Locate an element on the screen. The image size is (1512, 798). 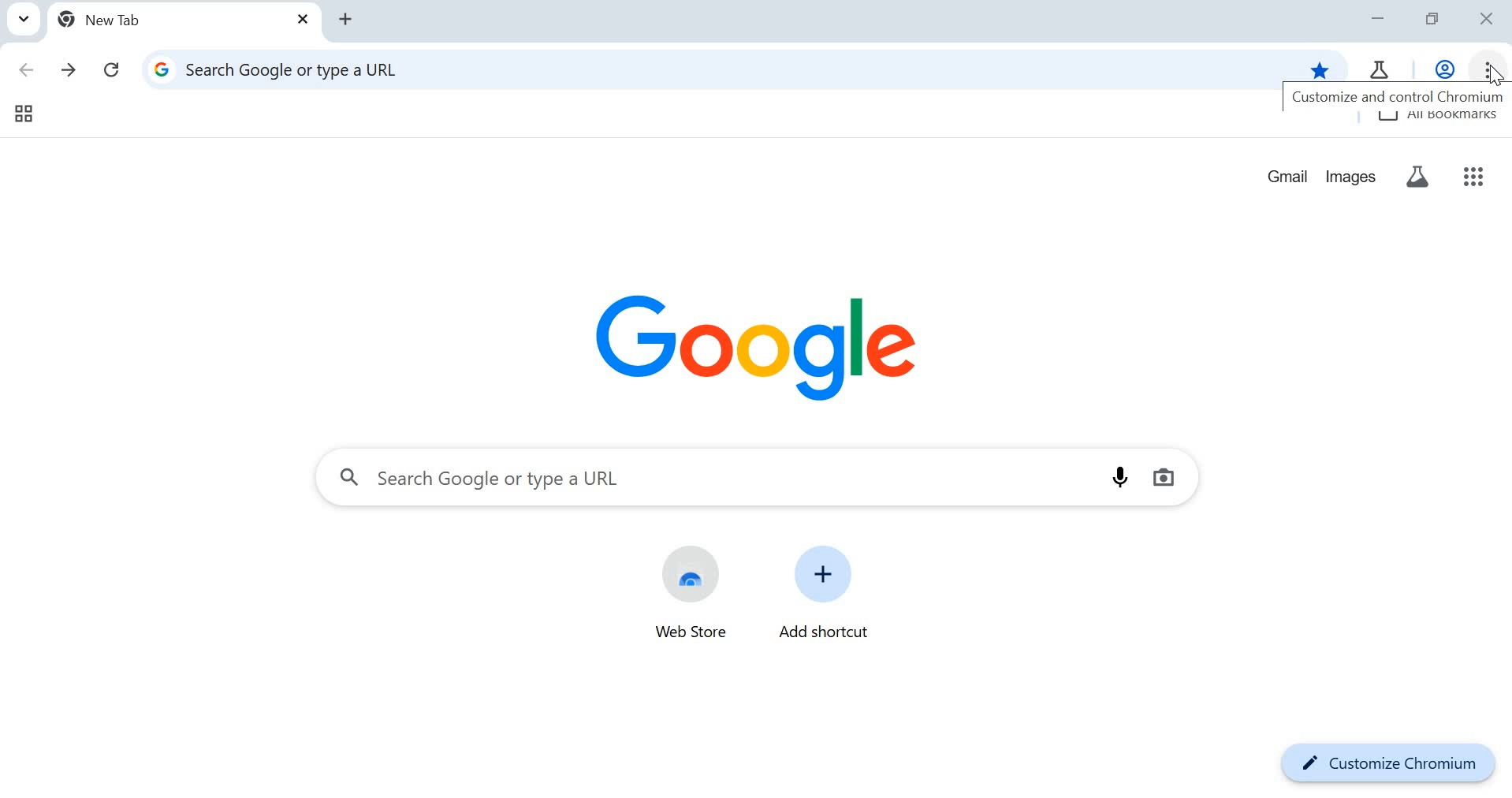
google apps is located at coordinates (1475, 178).